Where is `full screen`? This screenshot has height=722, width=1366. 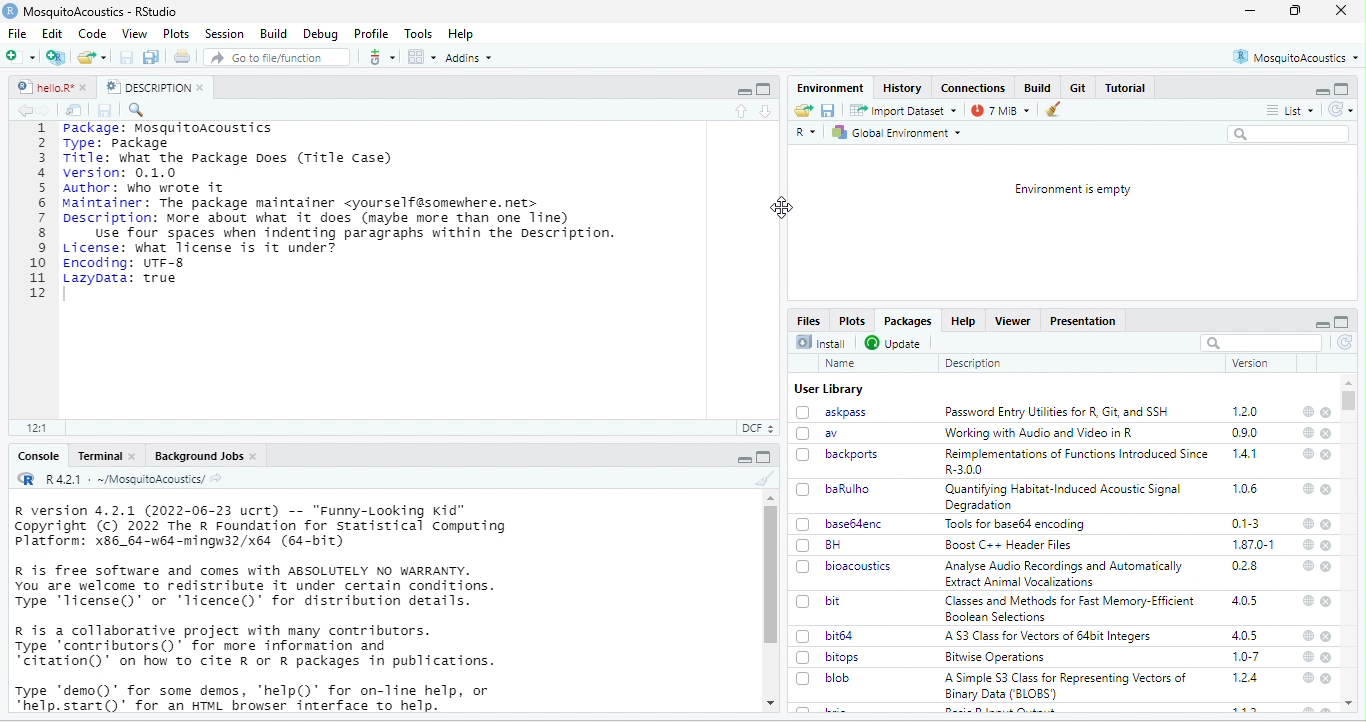
full screen is located at coordinates (1294, 10).